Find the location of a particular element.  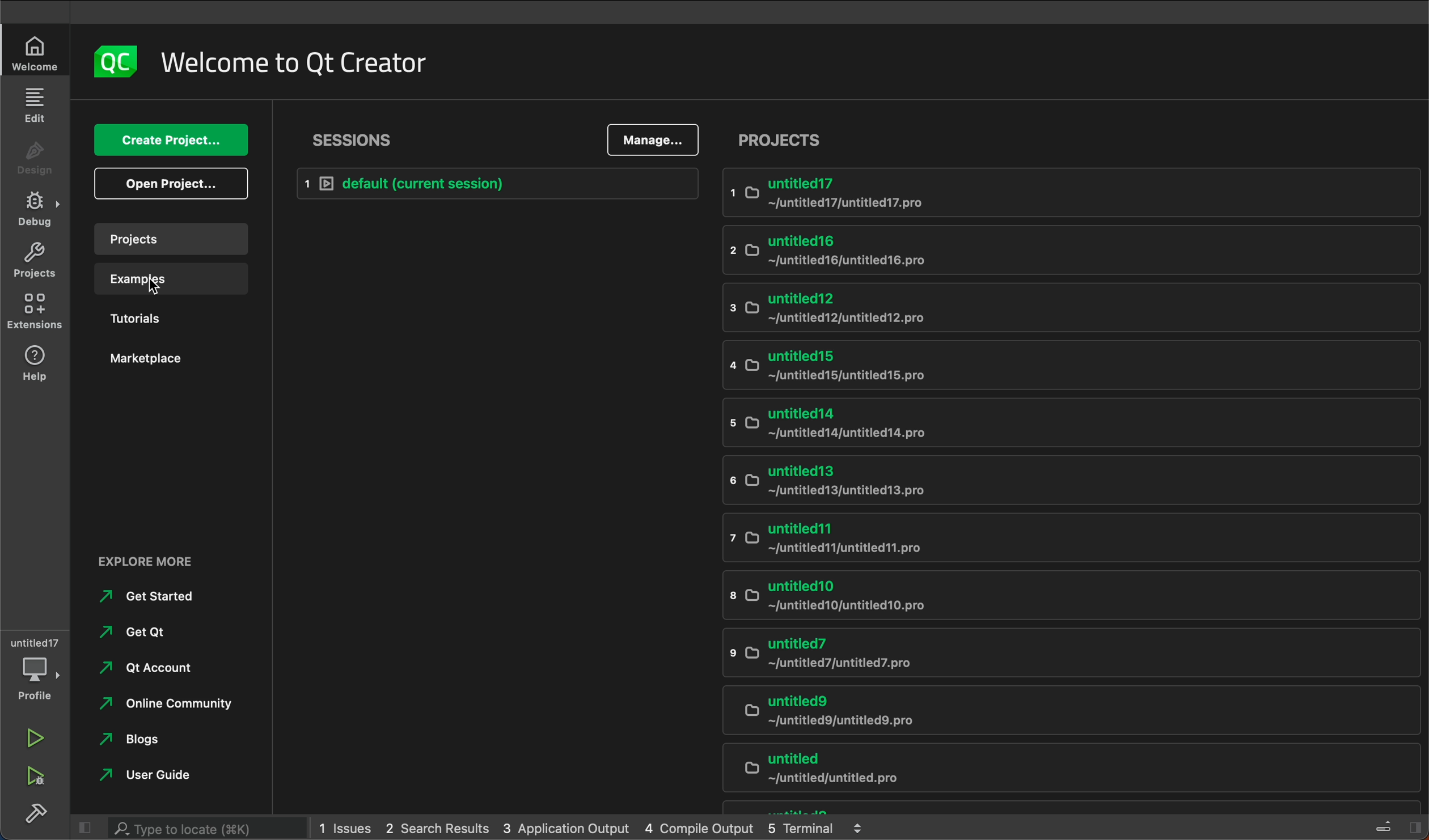

market place is located at coordinates (170, 359).